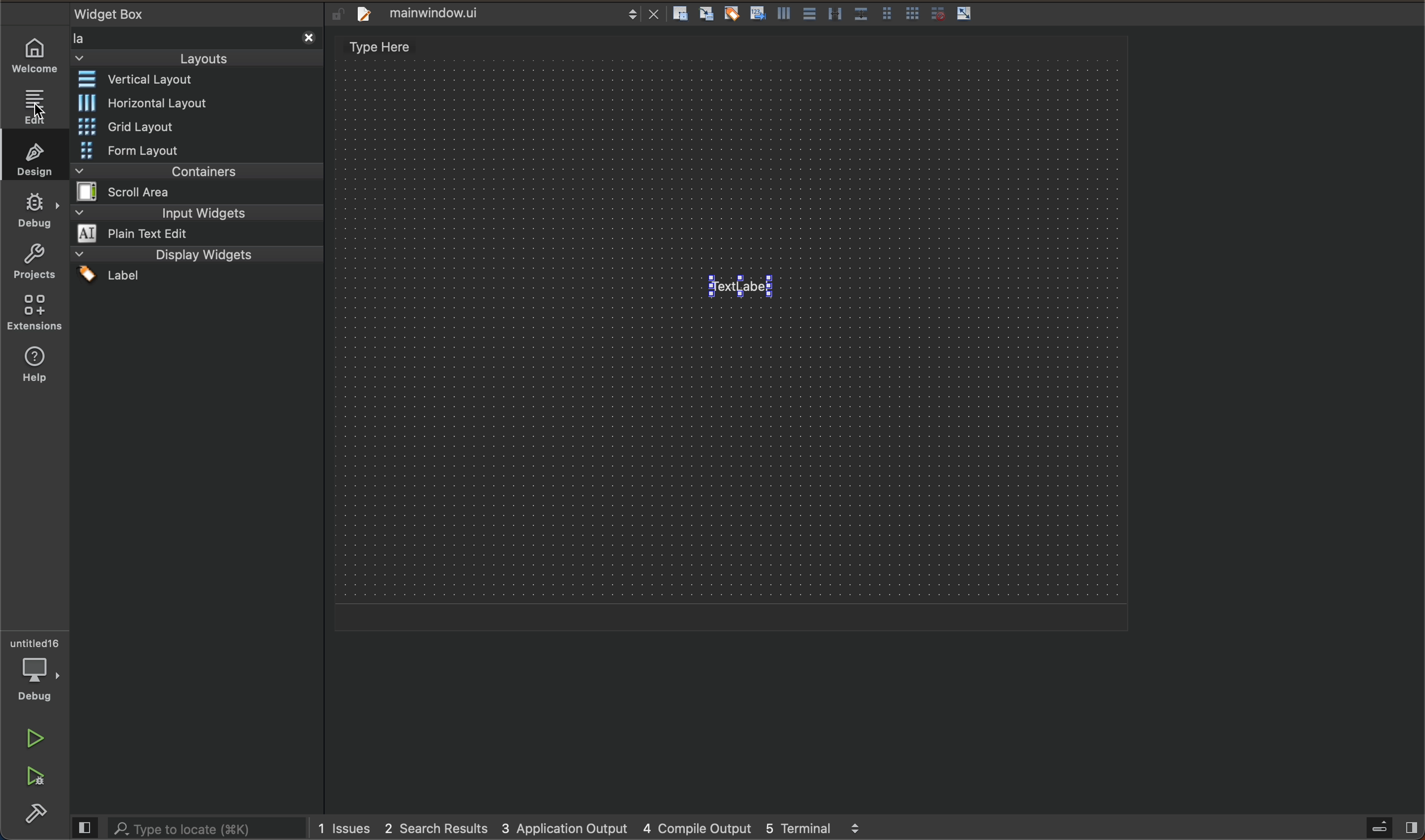 Image resolution: width=1425 pixels, height=840 pixels. I want to click on form layout, so click(144, 151).